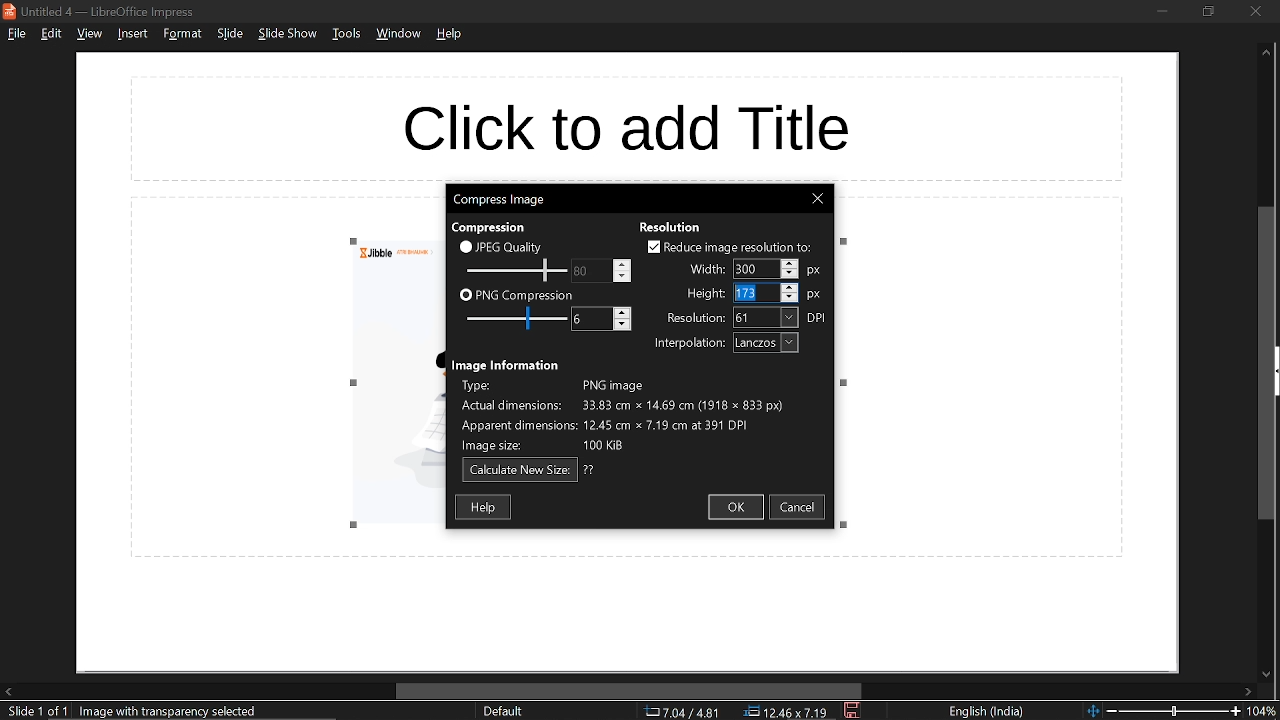 The image size is (1280, 720). What do you see at coordinates (519, 470) in the screenshot?
I see `calculate new size` at bounding box center [519, 470].